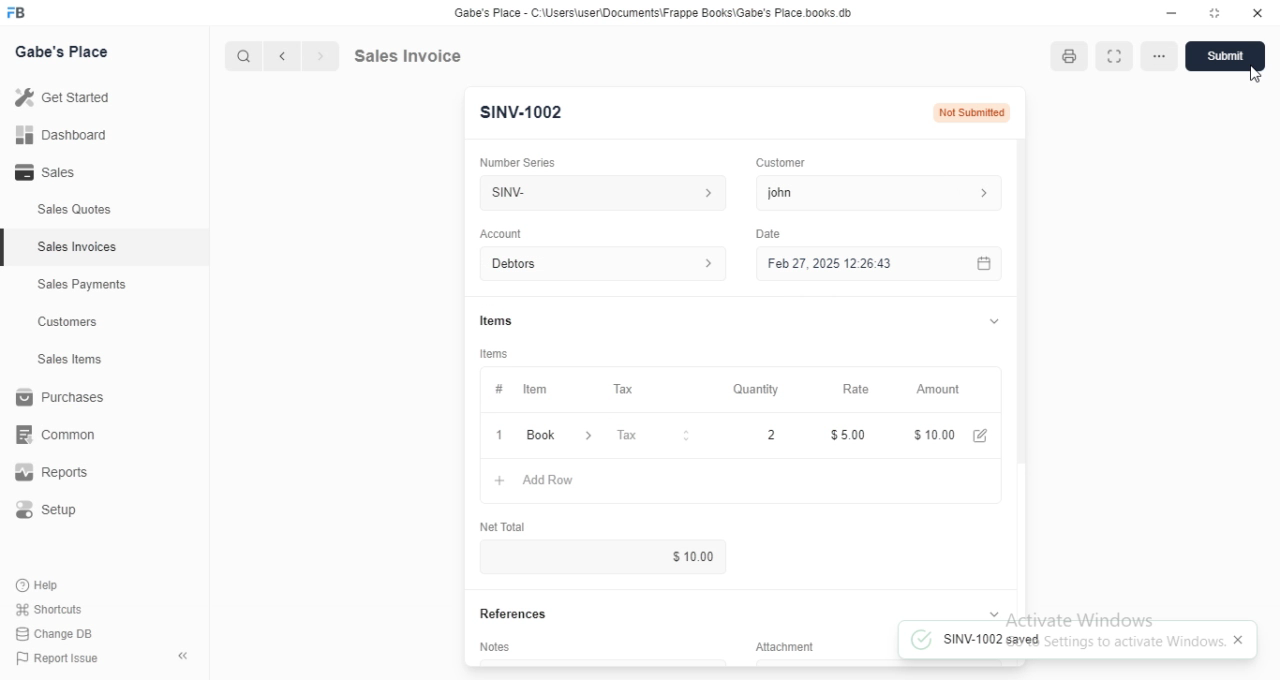 Image resolution: width=1280 pixels, height=680 pixels. I want to click on References, so click(510, 615).